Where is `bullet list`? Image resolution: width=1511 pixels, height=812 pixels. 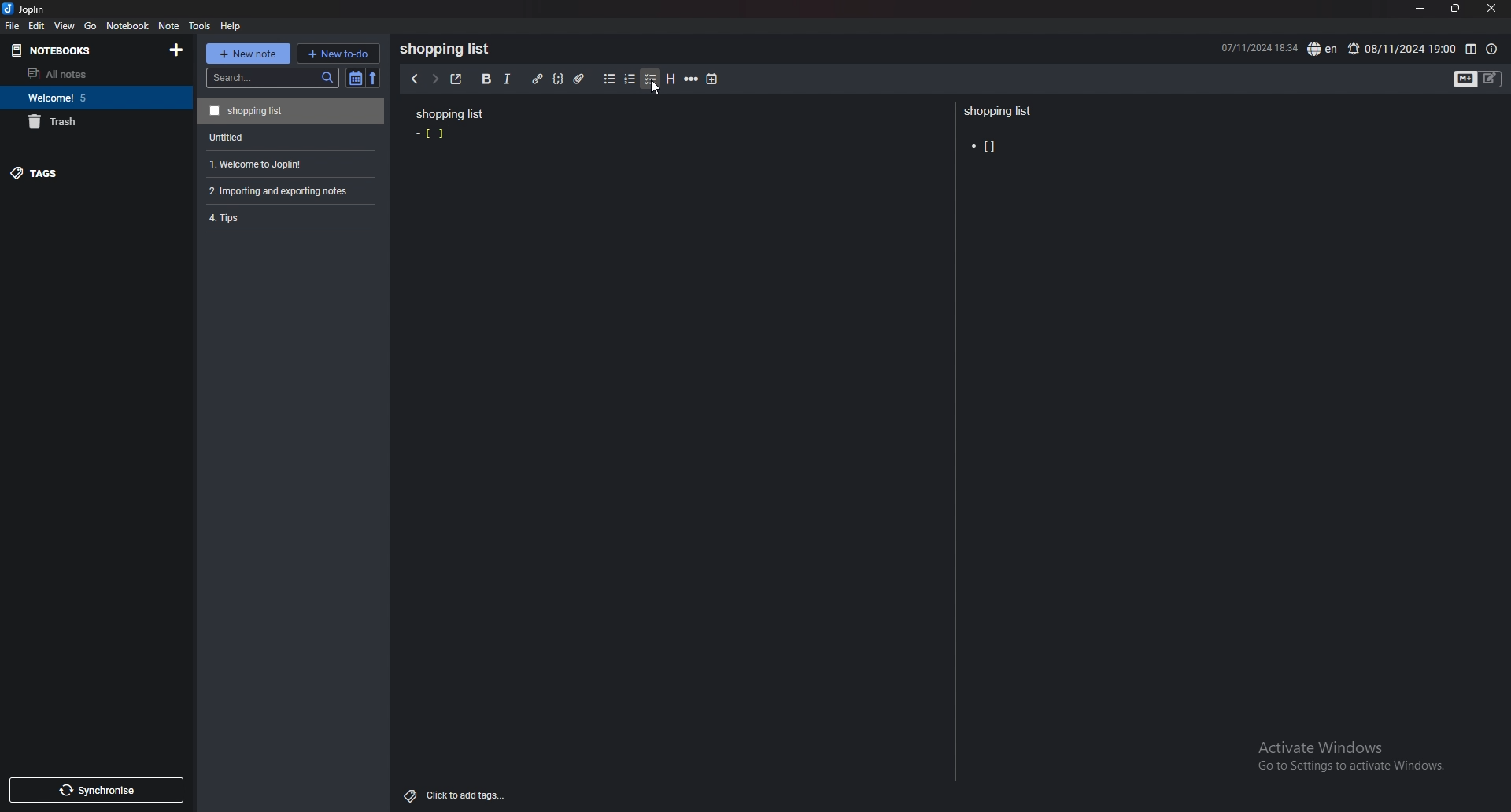
bullet list is located at coordinates (609, 79).